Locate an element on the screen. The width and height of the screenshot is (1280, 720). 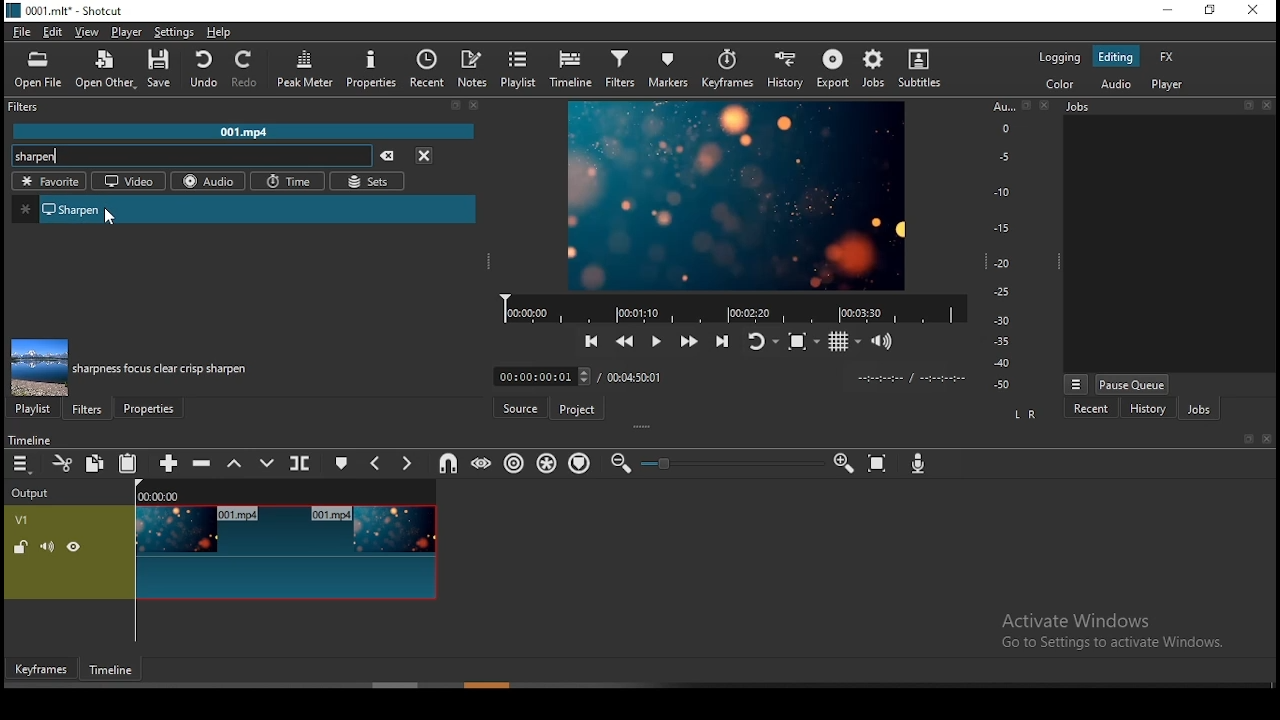
audio is located at coordinates (1112, 82).